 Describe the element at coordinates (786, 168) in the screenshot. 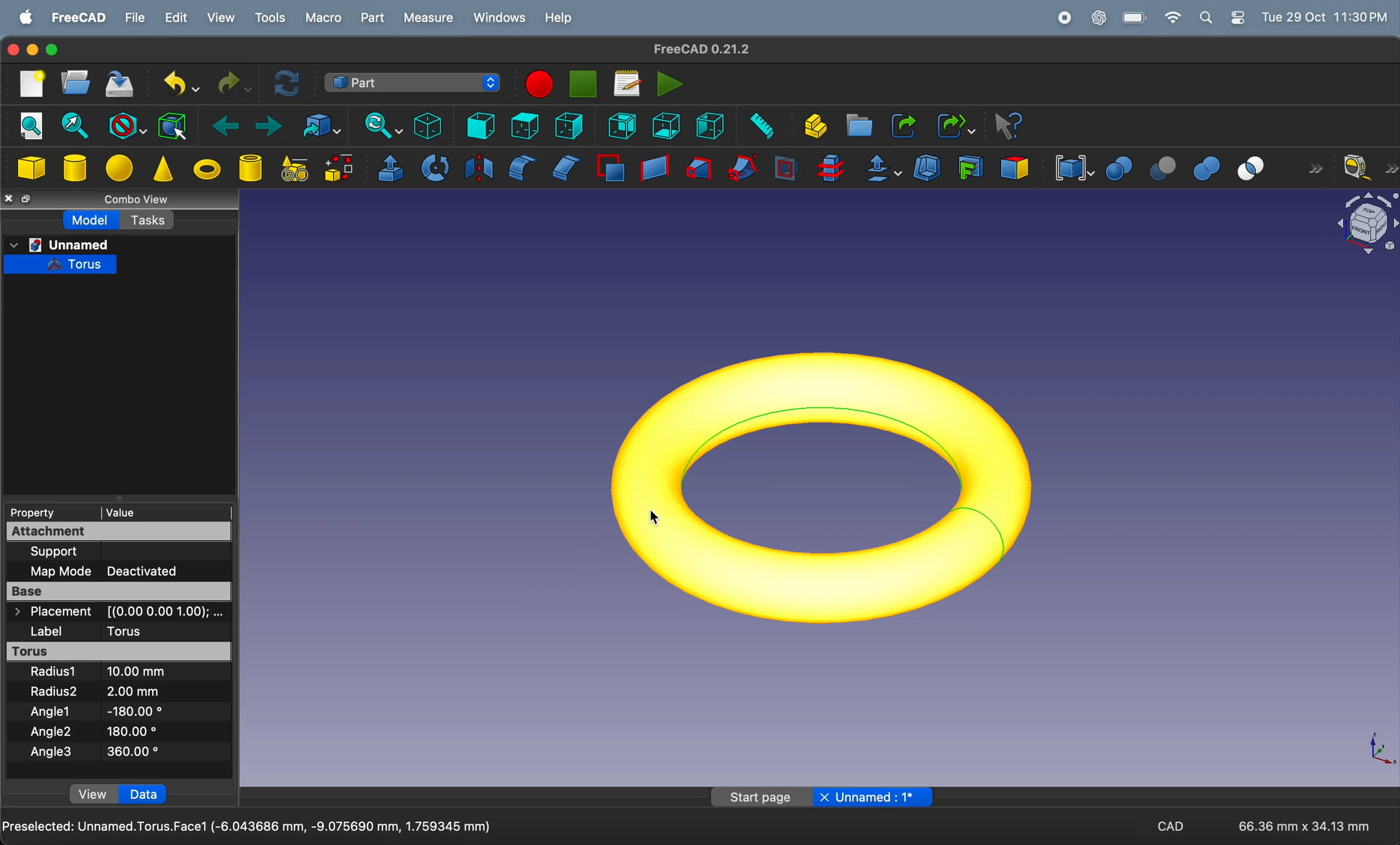

I see `section` at that location.